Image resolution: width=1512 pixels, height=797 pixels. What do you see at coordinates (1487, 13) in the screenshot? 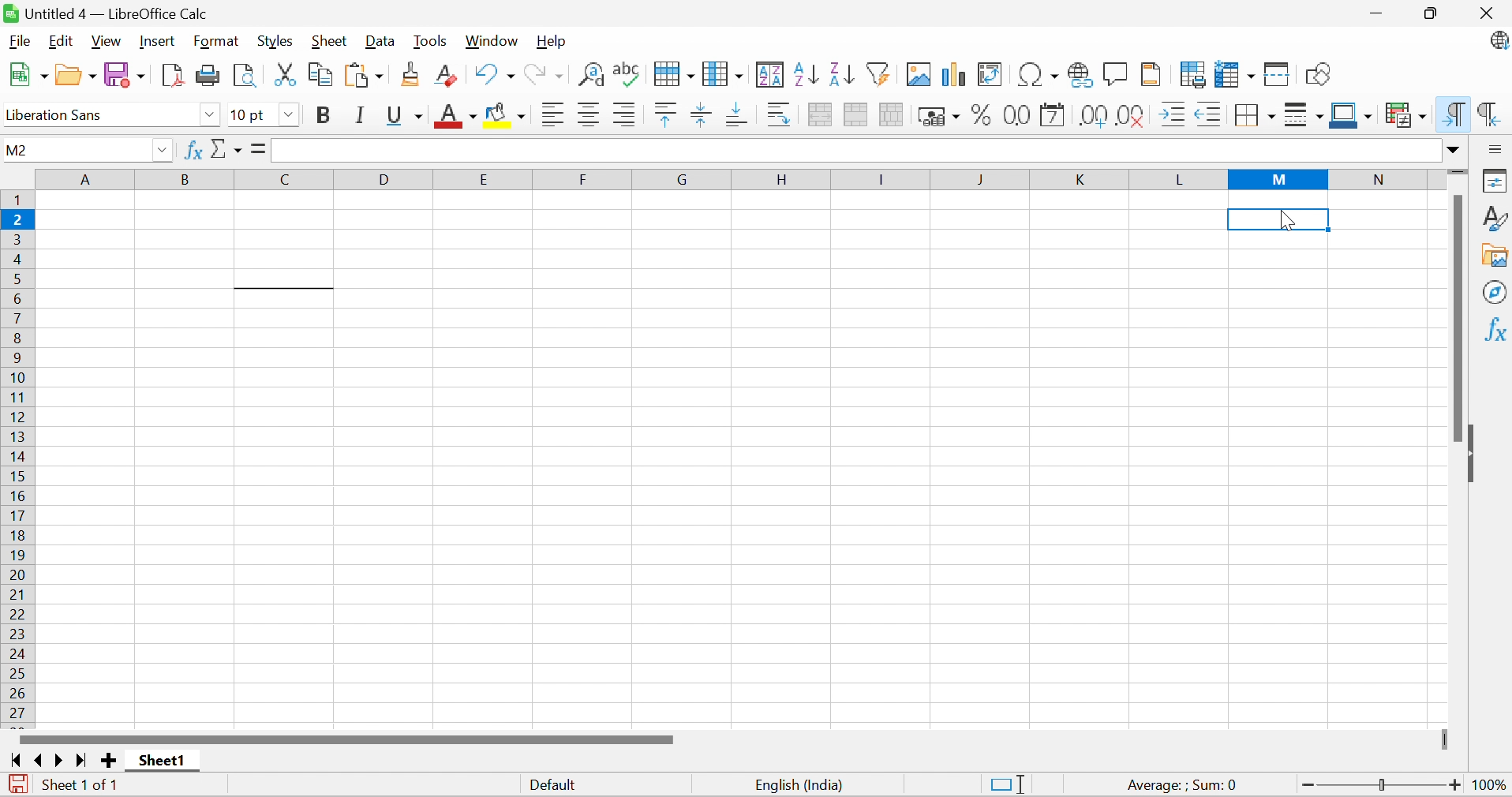
I see `Close` at bounding box center [1487, 13].